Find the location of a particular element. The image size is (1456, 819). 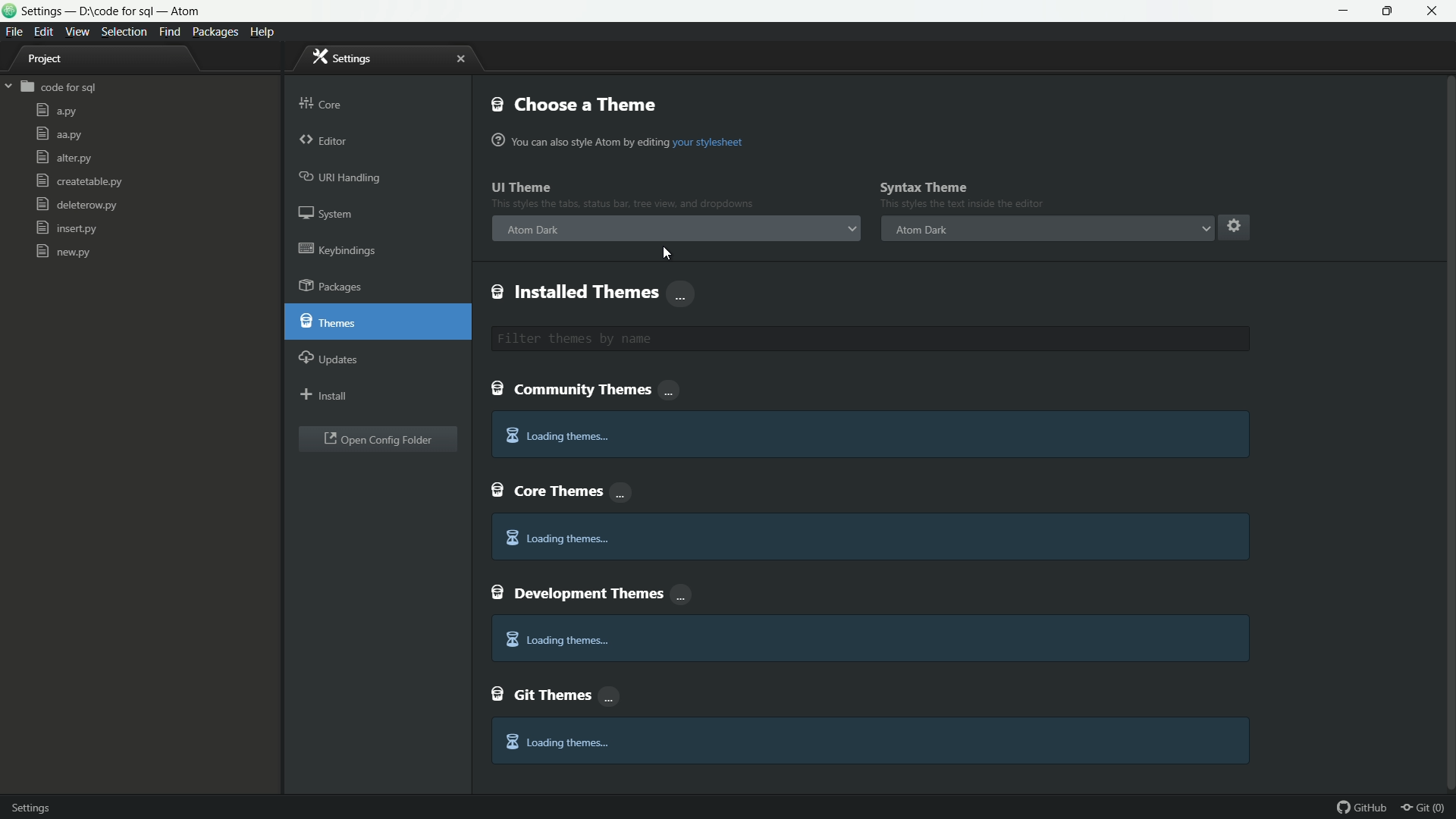

close app is located at coordinates (1434, 11).